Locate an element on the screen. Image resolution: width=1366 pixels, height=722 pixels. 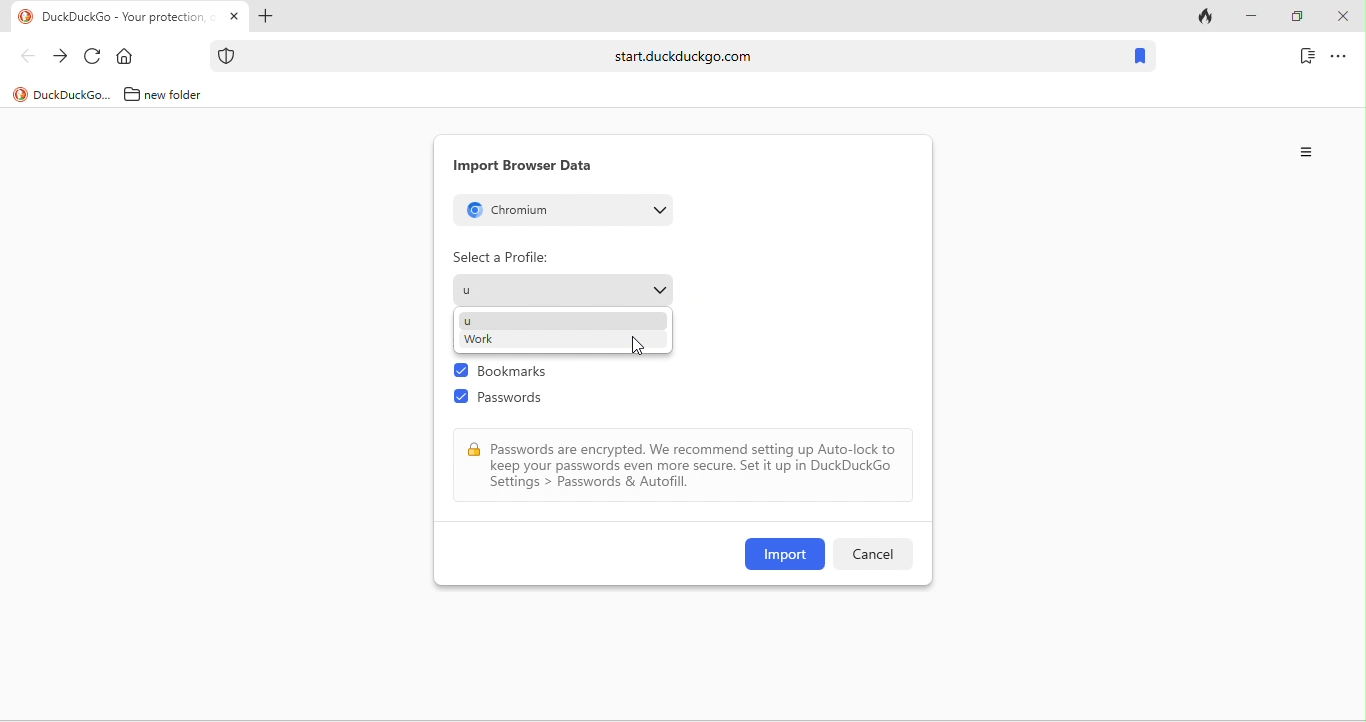
reload is located at coordinates (93, 57).